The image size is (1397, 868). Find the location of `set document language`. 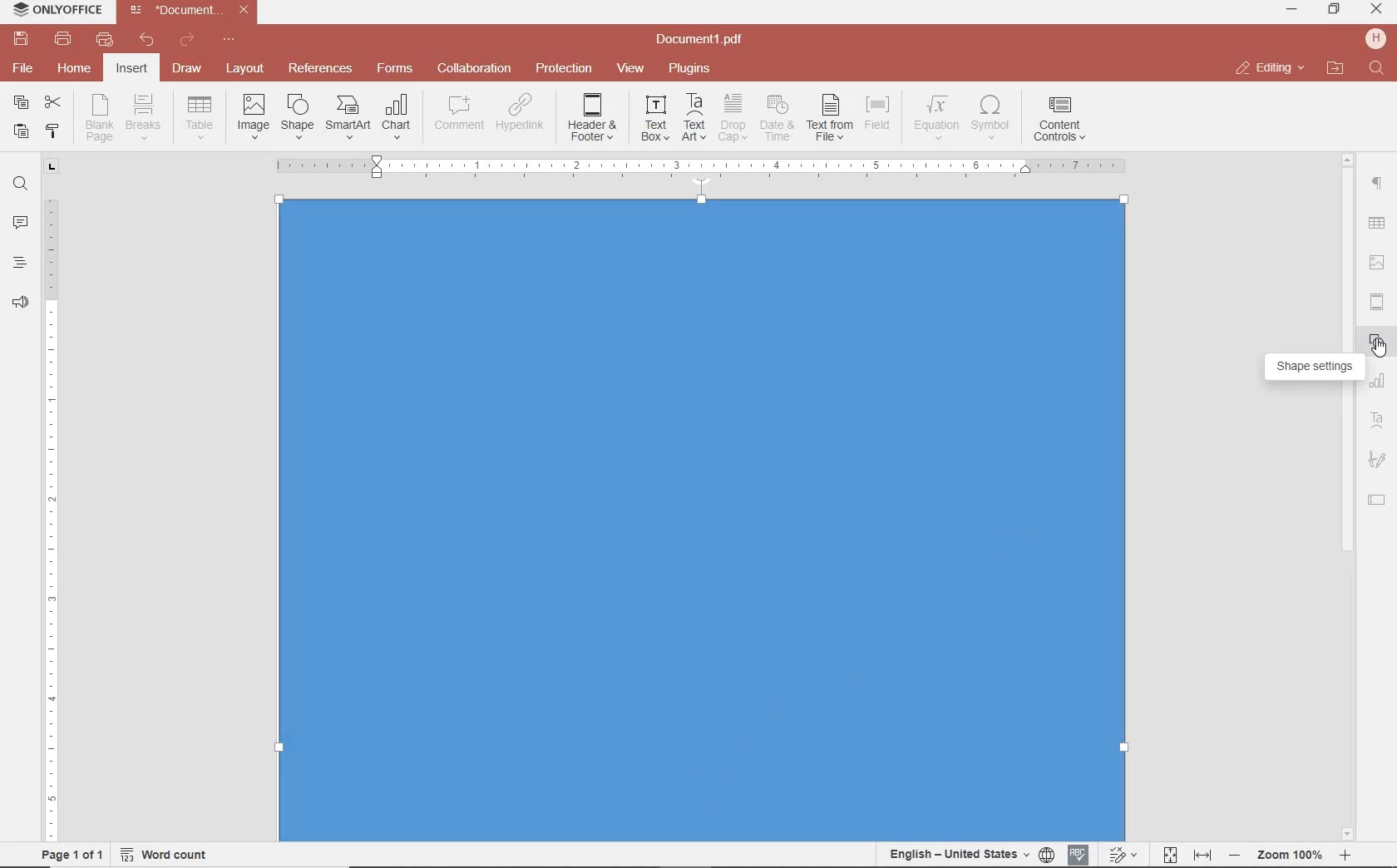

set document language is located at coordinates (970, 854).